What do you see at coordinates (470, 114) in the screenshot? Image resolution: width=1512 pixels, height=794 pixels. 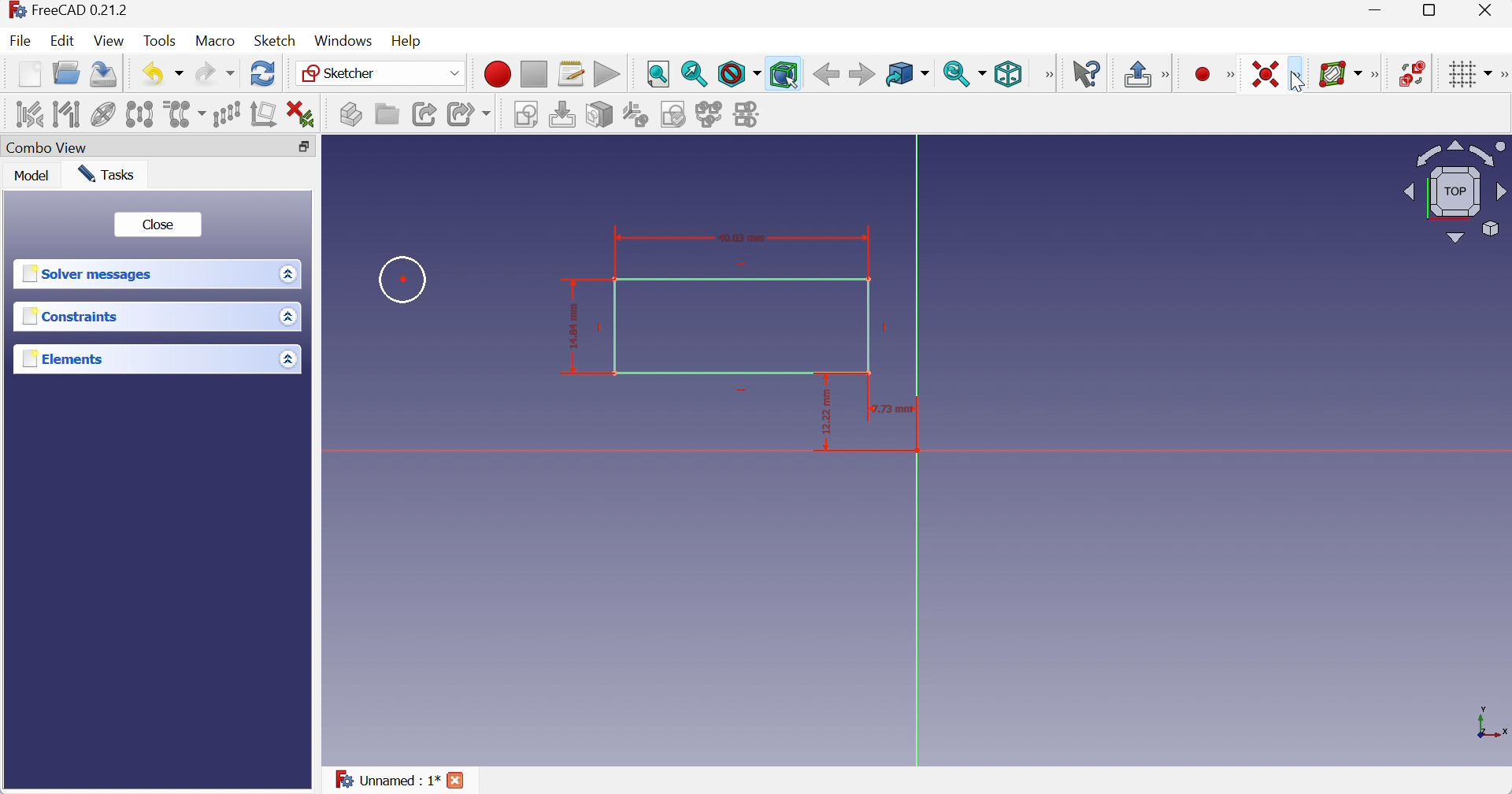 I see `Make sub-link` at bounding box center [470, 114].